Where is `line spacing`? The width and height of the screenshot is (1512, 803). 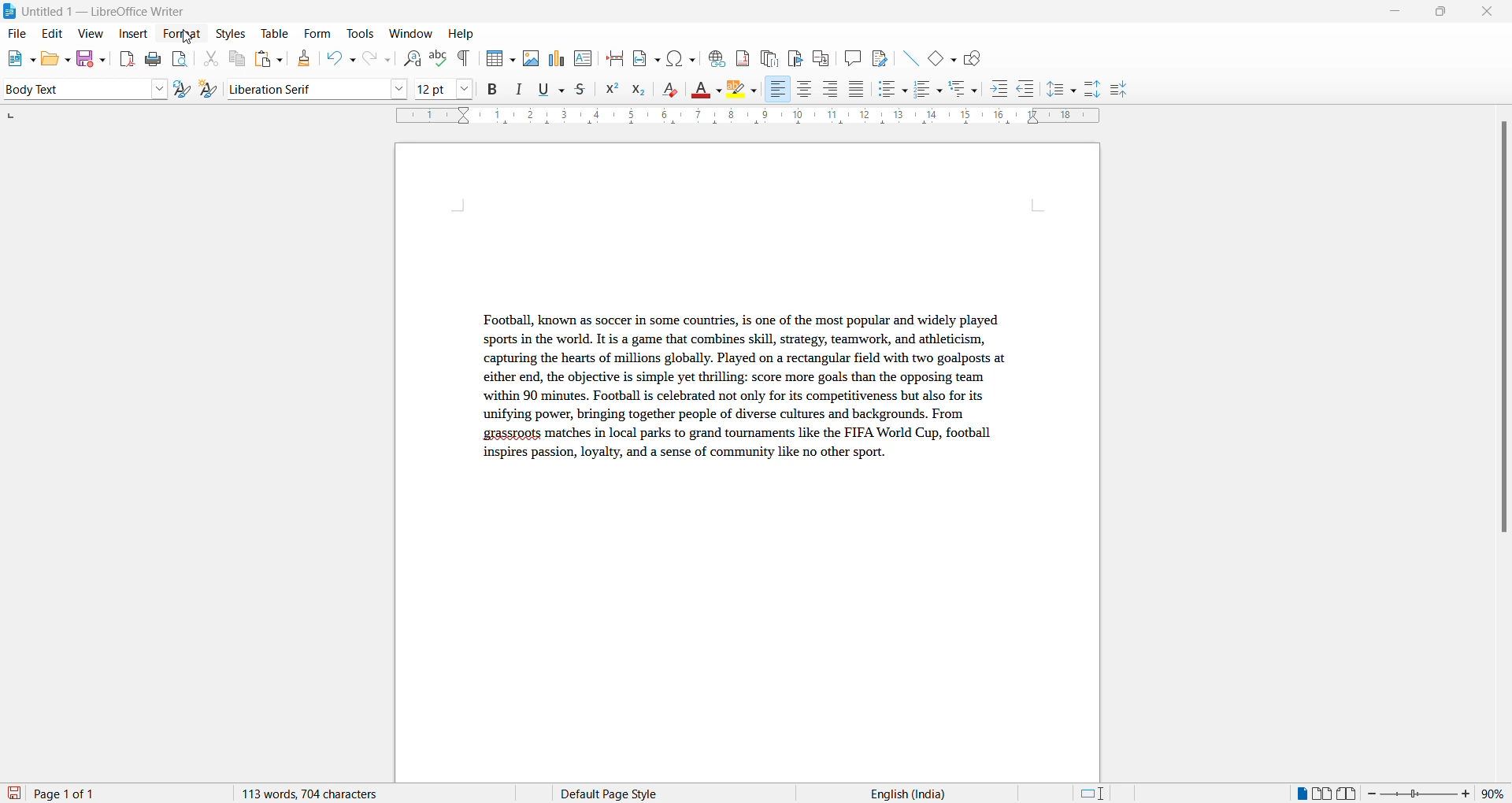 line spacing is located at coordinates (1064, 90).